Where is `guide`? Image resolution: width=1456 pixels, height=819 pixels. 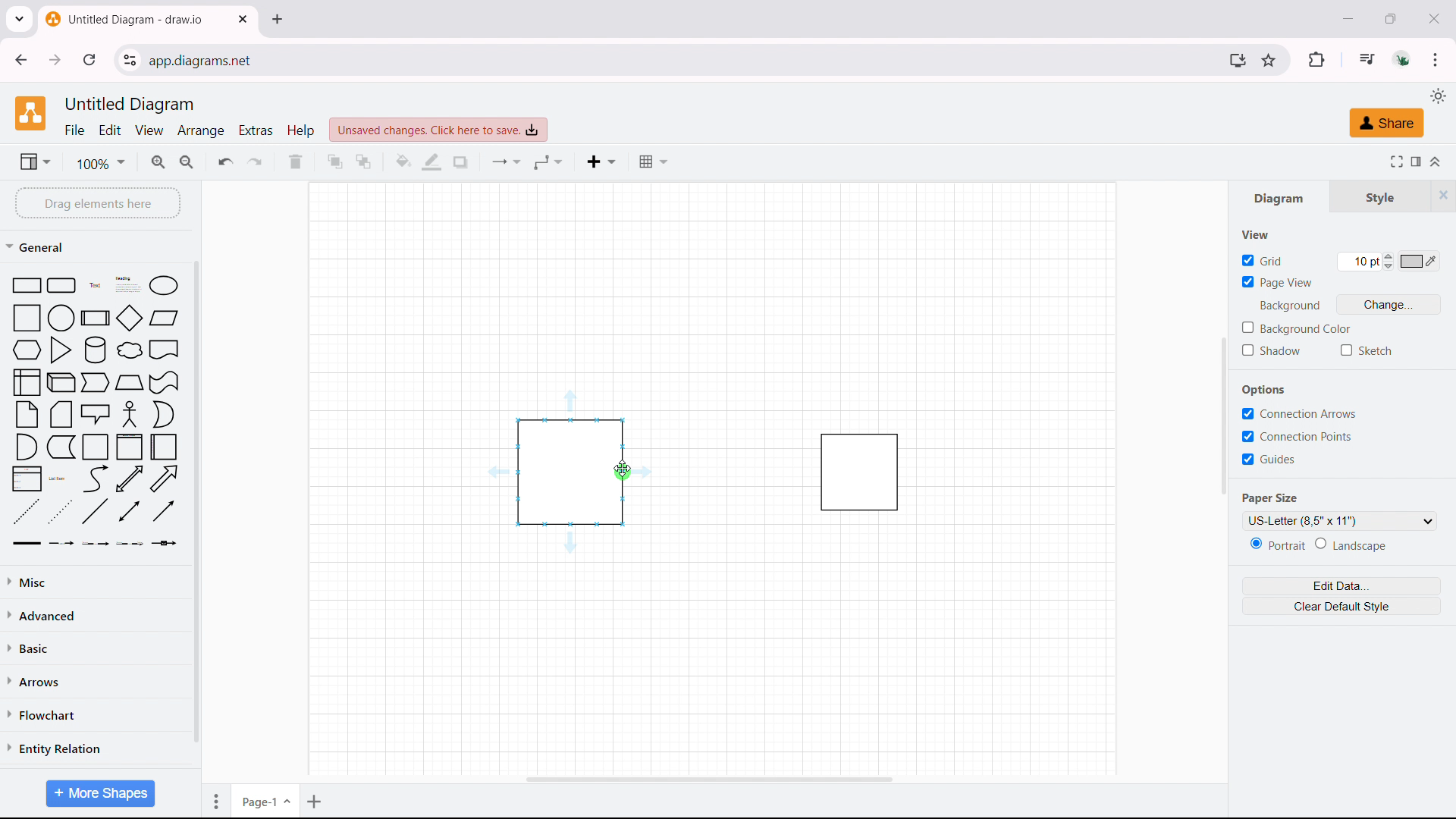
guide is located at coordinates (1268, 459).